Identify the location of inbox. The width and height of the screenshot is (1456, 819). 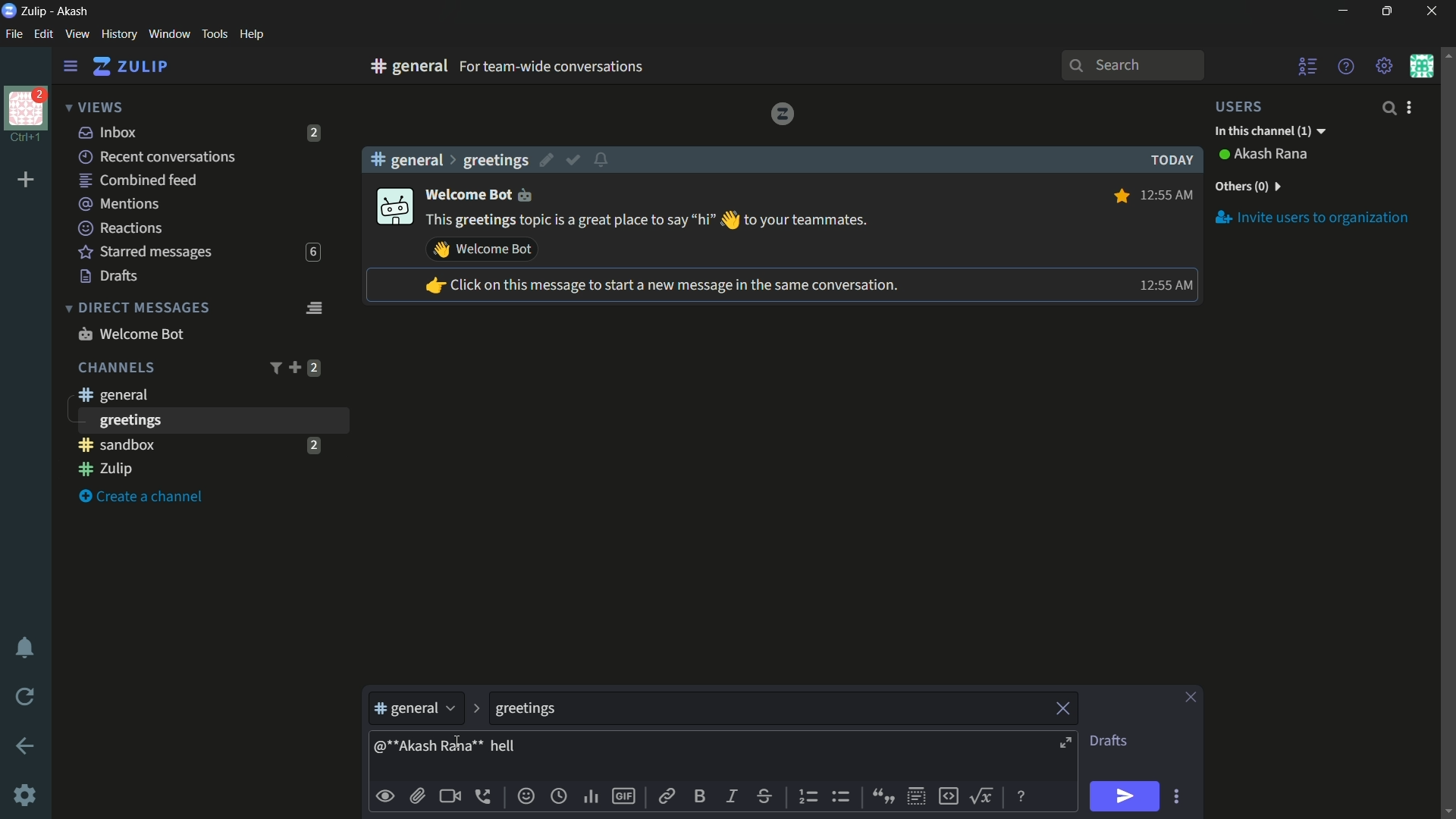
(108, 132).